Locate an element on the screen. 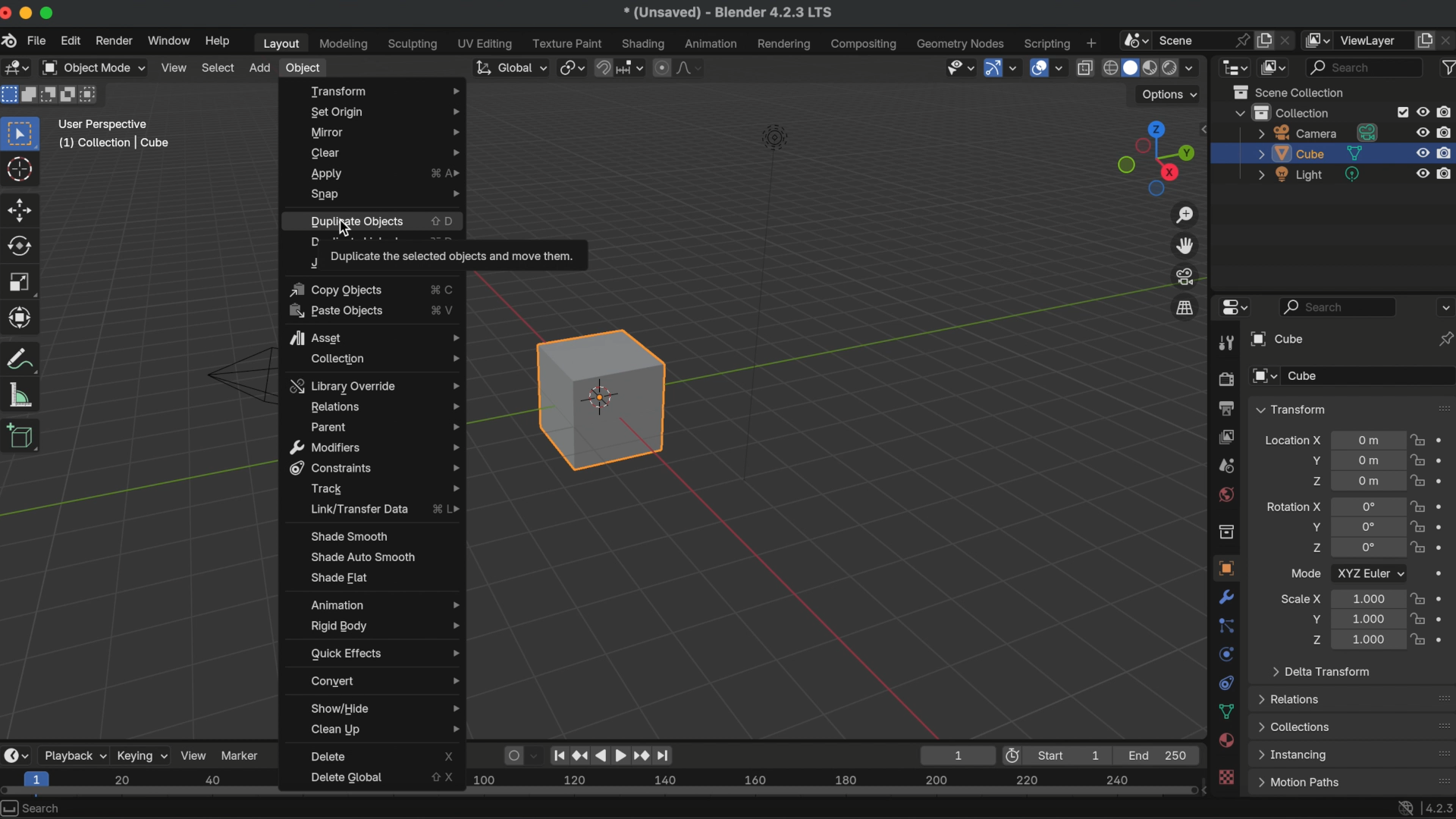 The width and height of the screenshot is (1456, 819). viewport shading material preview mode is located at coordinates (1148, 69).